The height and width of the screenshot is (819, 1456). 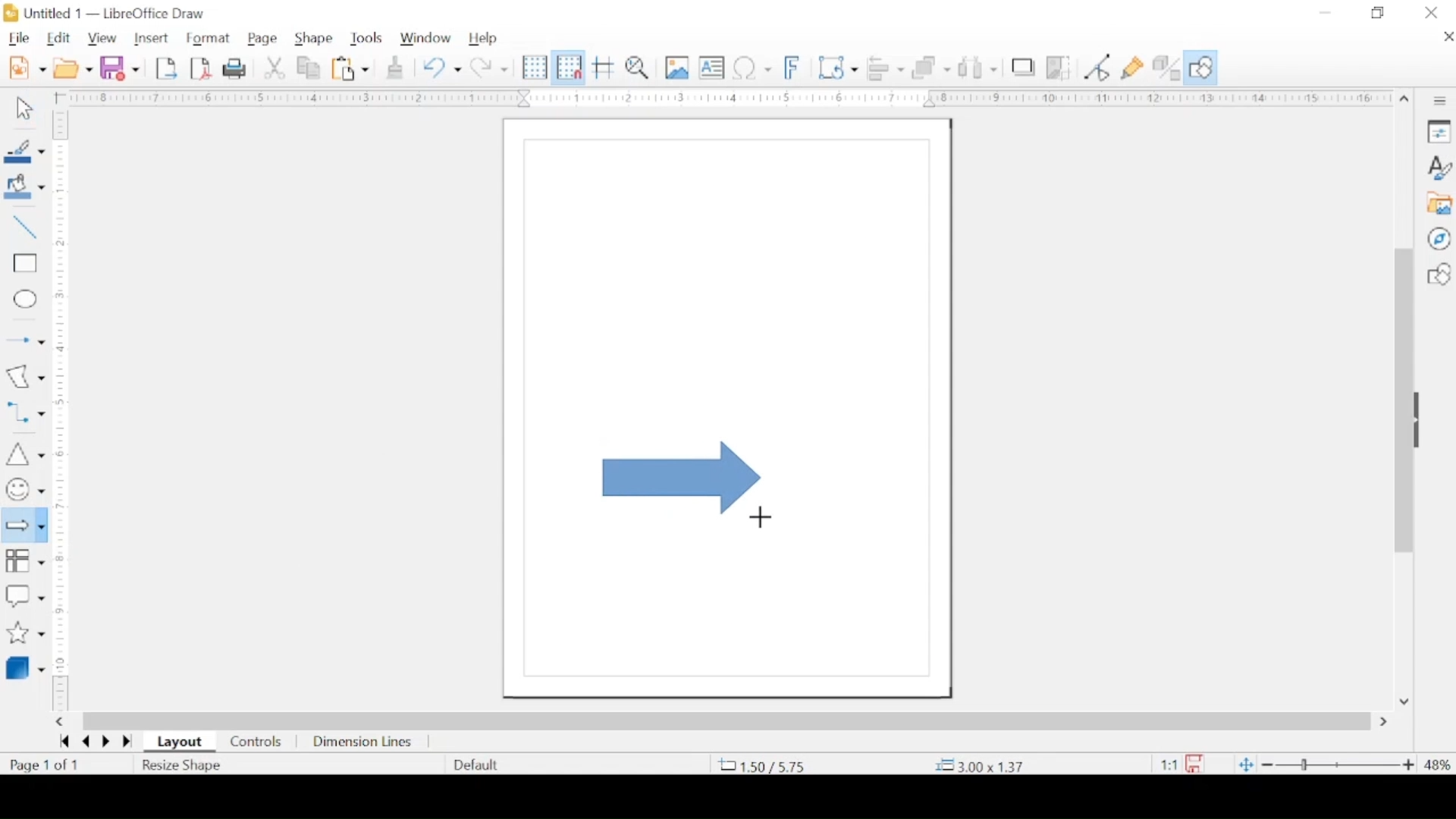 I want to click on edit, so click(x=60, y=39).